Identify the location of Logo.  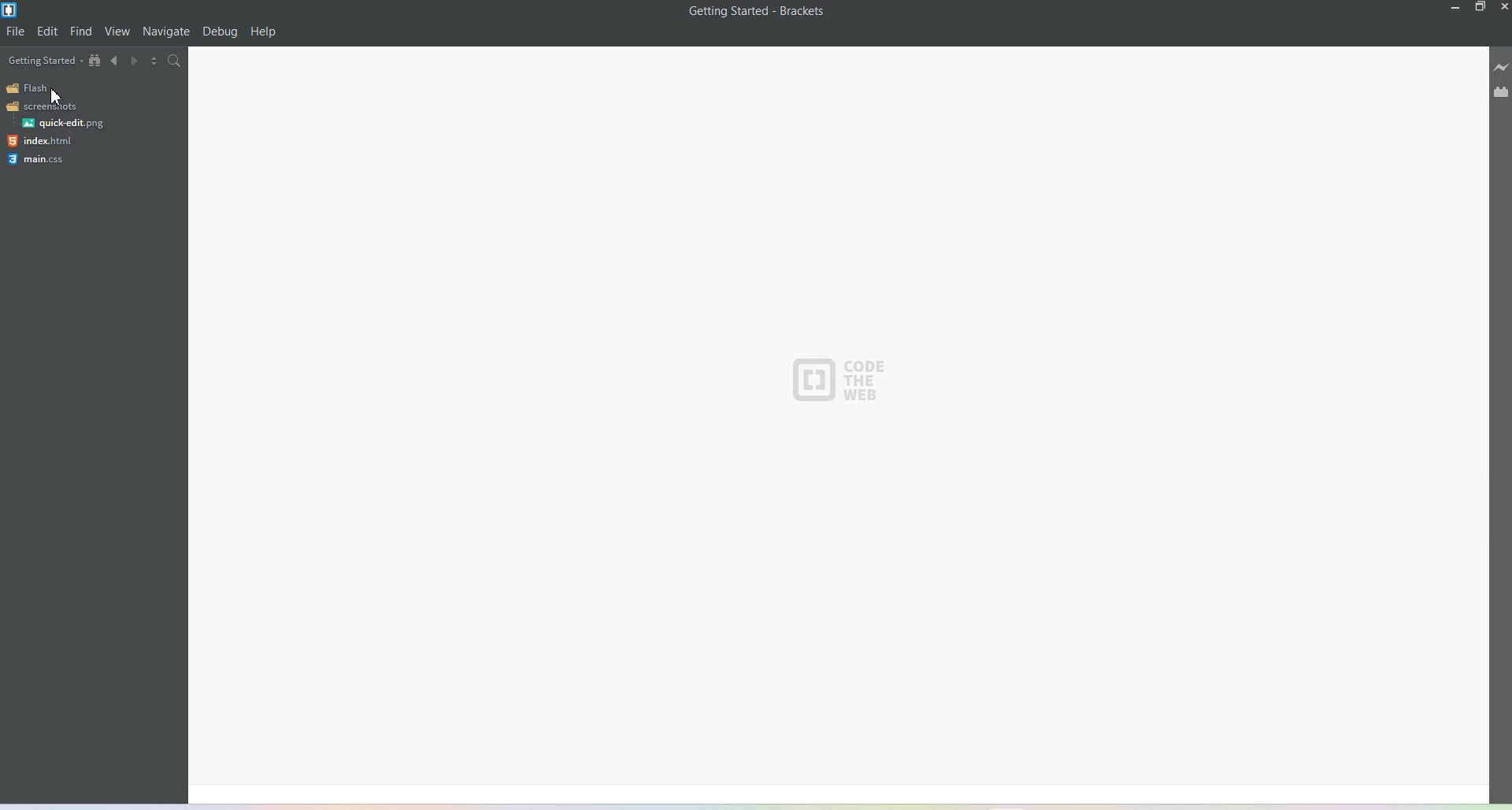
(40, 159).